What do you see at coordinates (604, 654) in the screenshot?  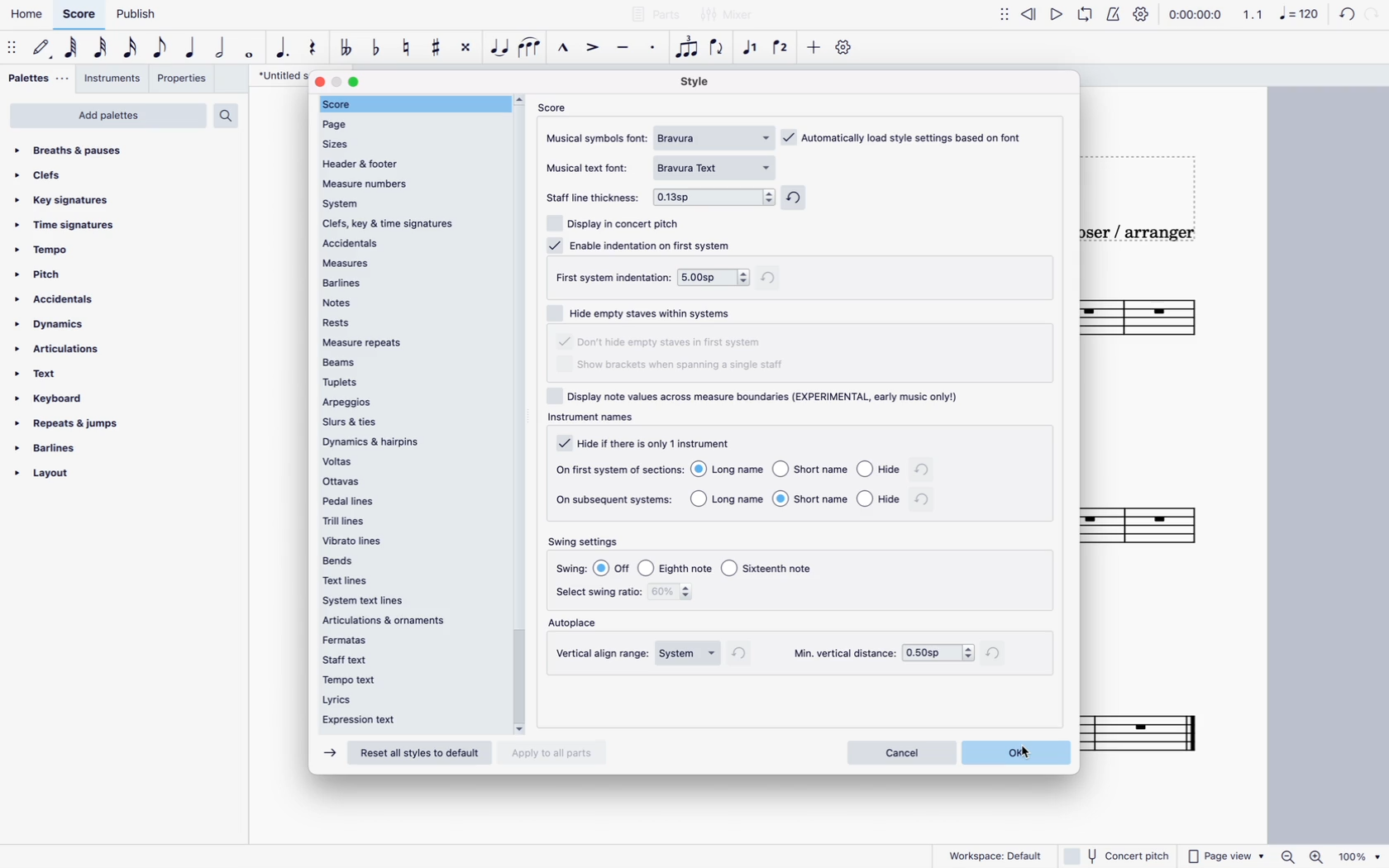 I see `vertical align range` at bounding box center [604, 654].